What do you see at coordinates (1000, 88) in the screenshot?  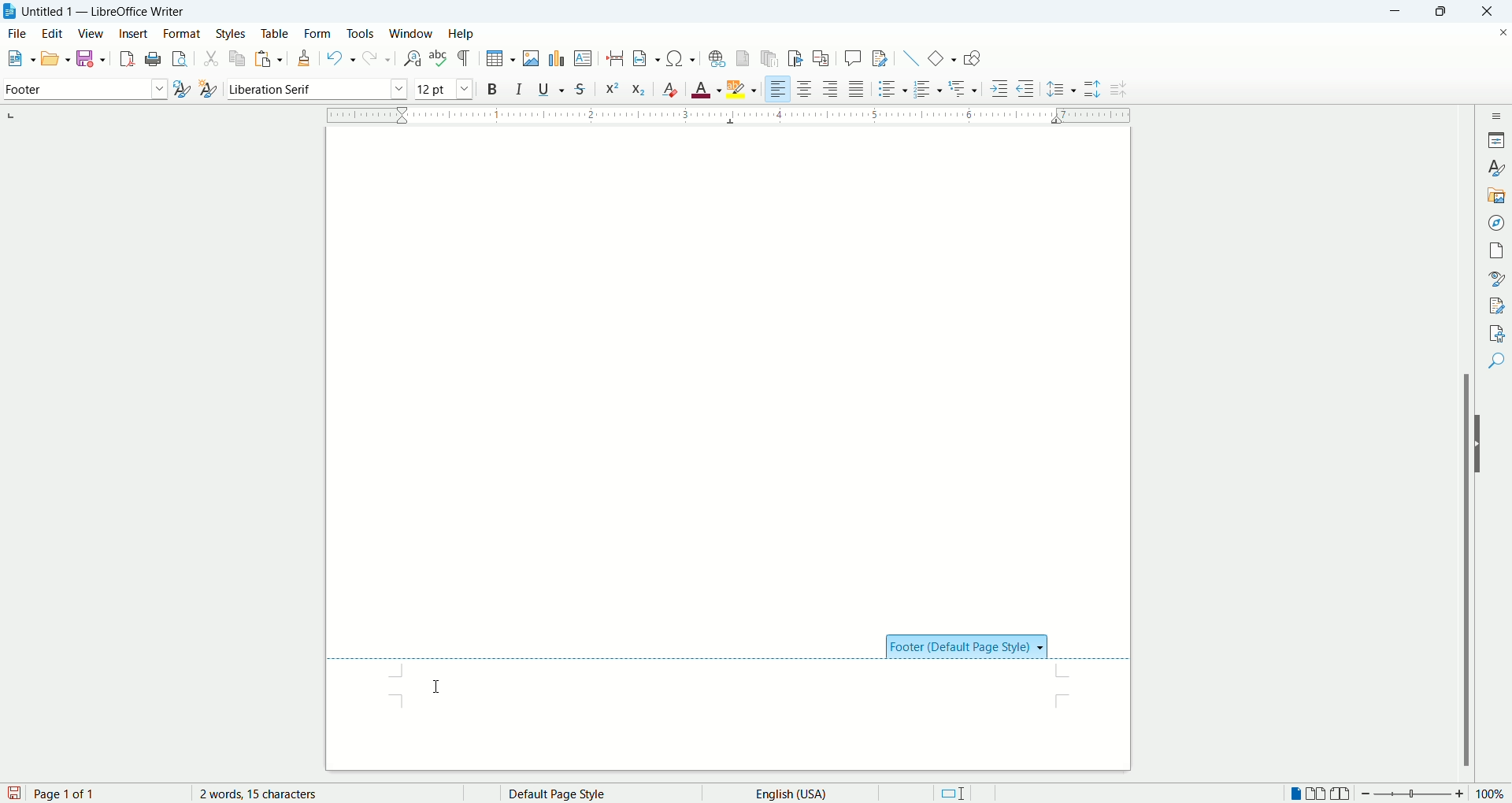 I see `increase indent` at bounding box center [1000, 88].